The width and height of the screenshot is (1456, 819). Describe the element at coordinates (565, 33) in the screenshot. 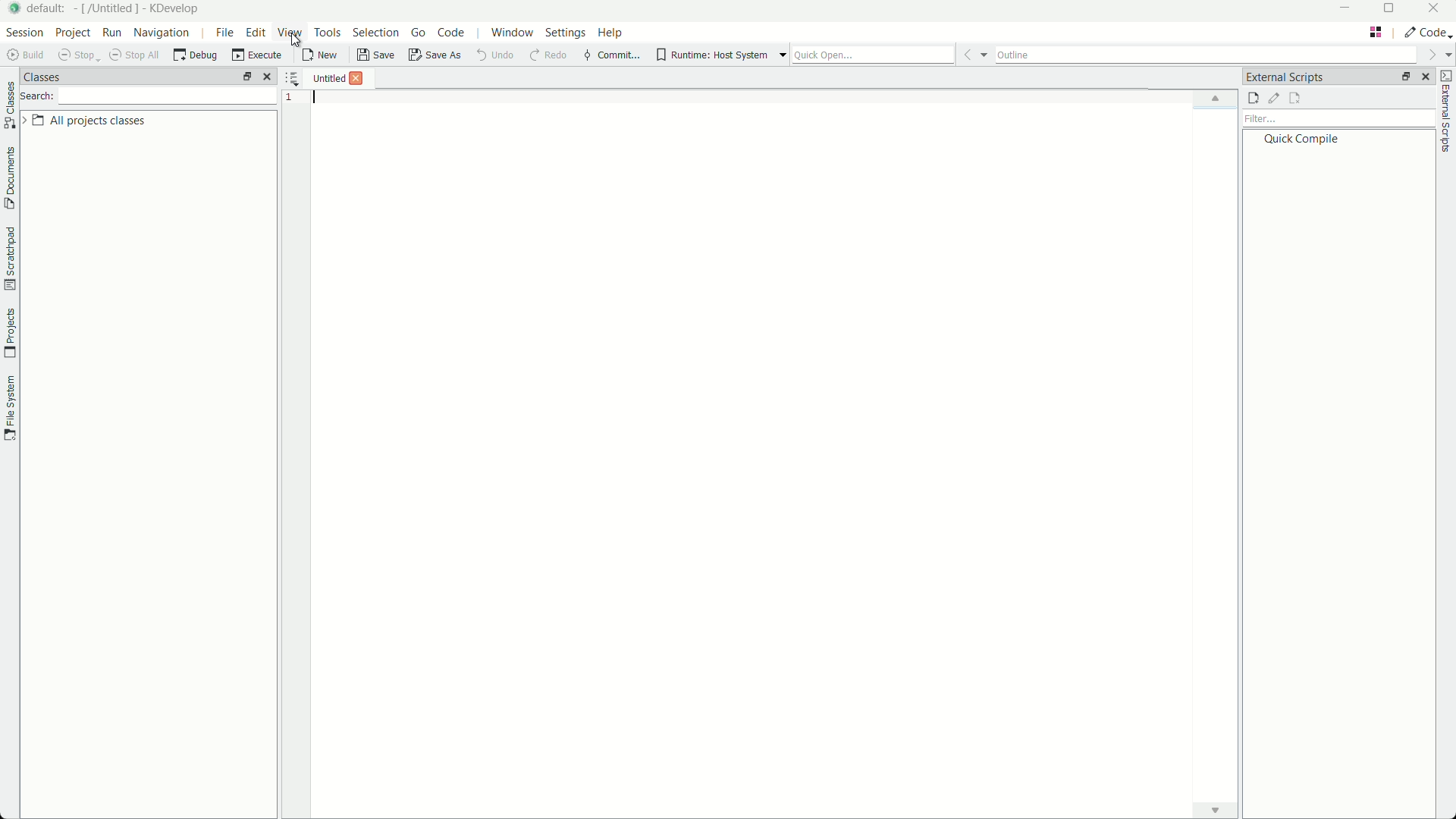

I see `settings menu` at that location.